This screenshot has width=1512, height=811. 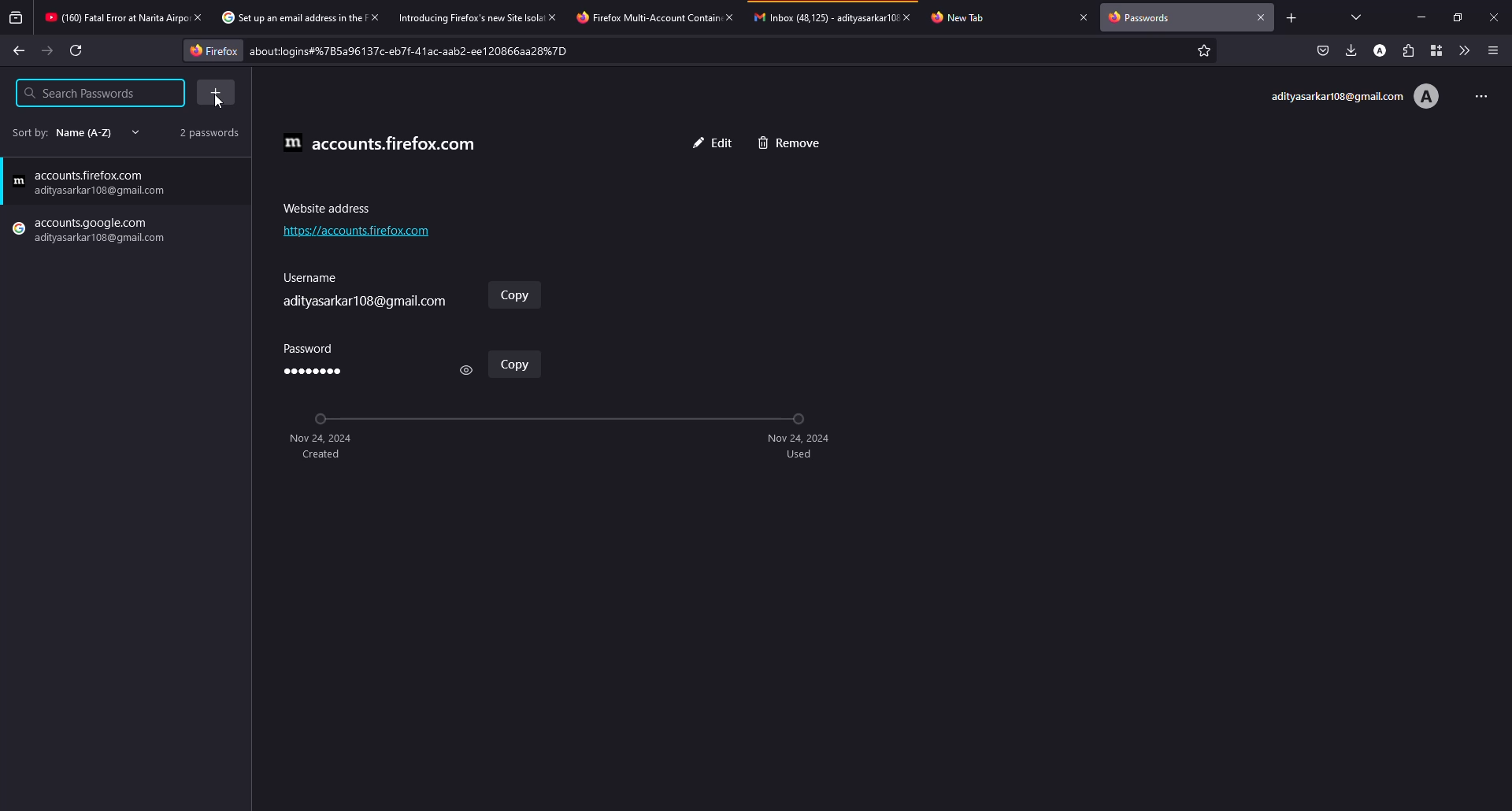 I want to click on close, so click(x=912, y=17).